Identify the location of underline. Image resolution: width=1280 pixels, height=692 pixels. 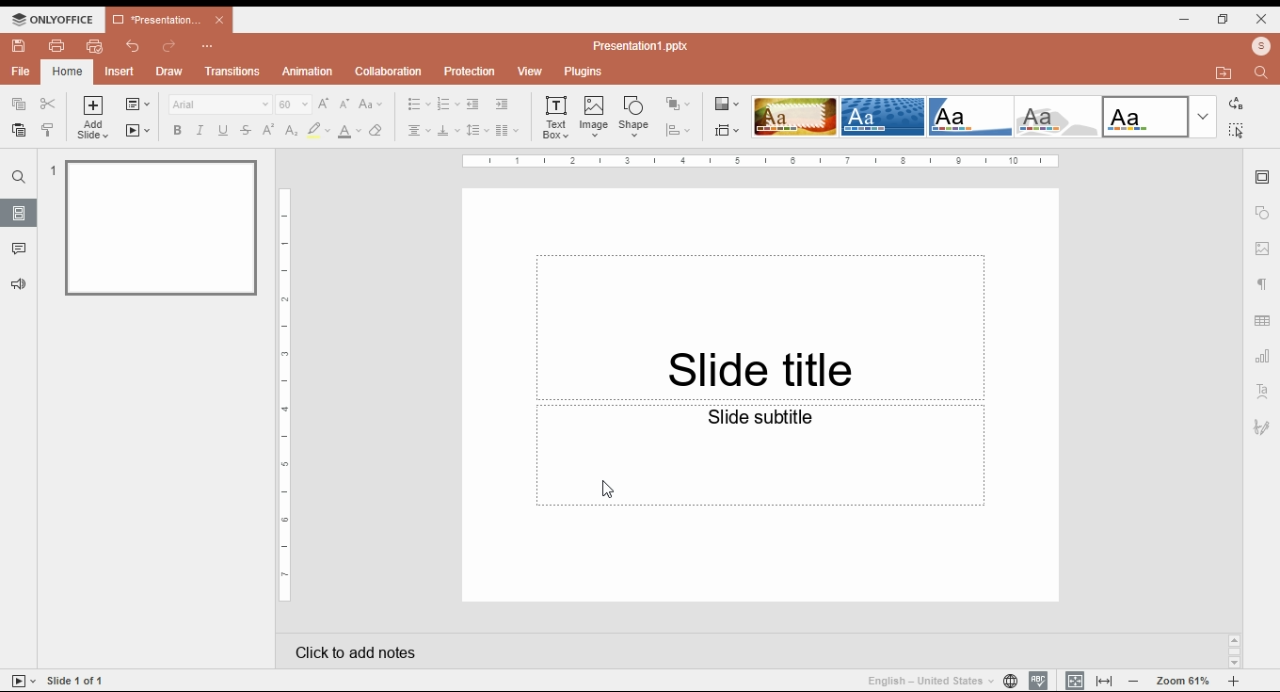
(222, 130).